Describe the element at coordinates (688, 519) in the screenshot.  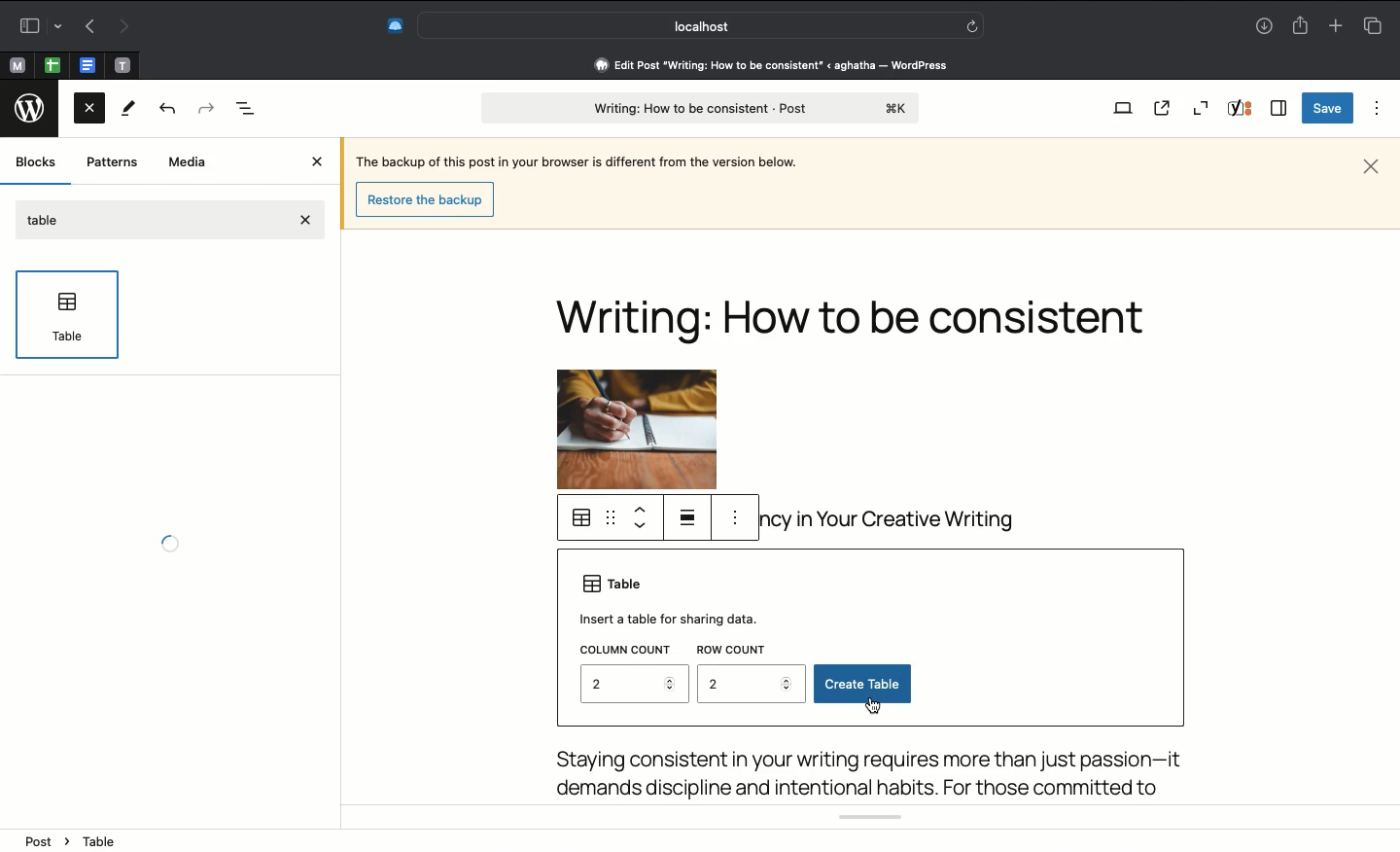
I see `Justify` at that location.